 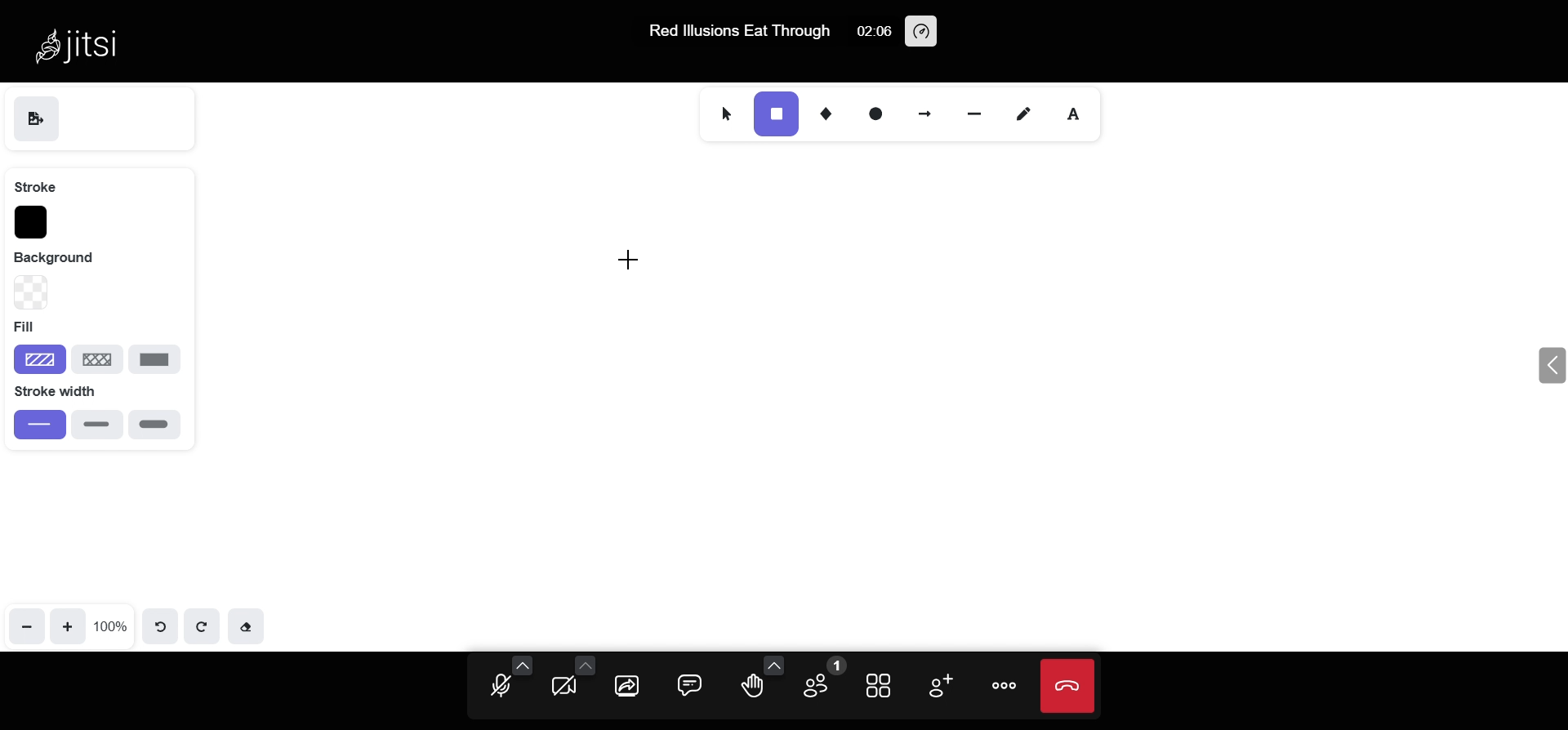 I want to click on thin, so click(x=39, y=425).